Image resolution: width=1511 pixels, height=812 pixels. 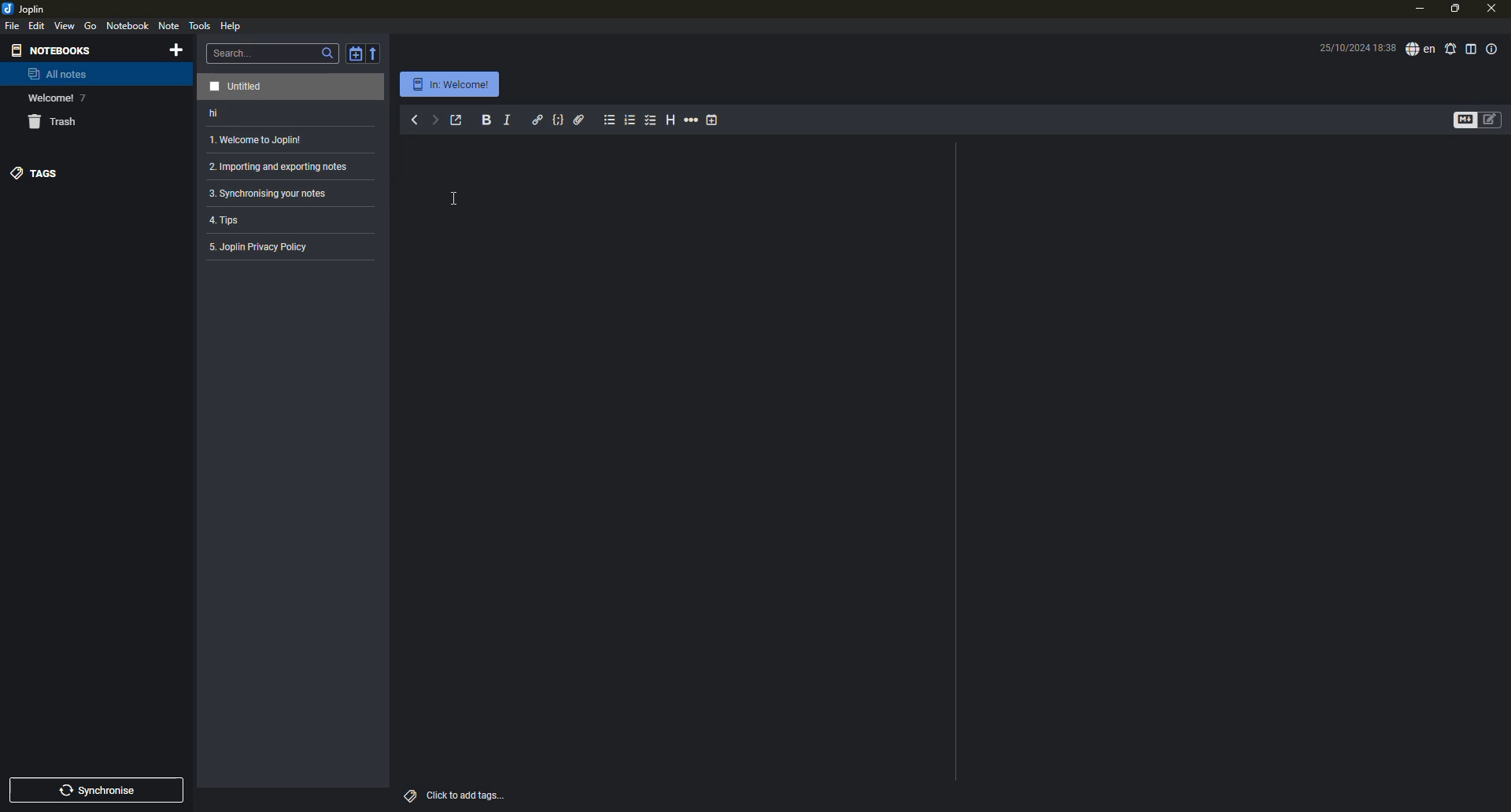 I want to click on tags, so click(x=411, y=795).